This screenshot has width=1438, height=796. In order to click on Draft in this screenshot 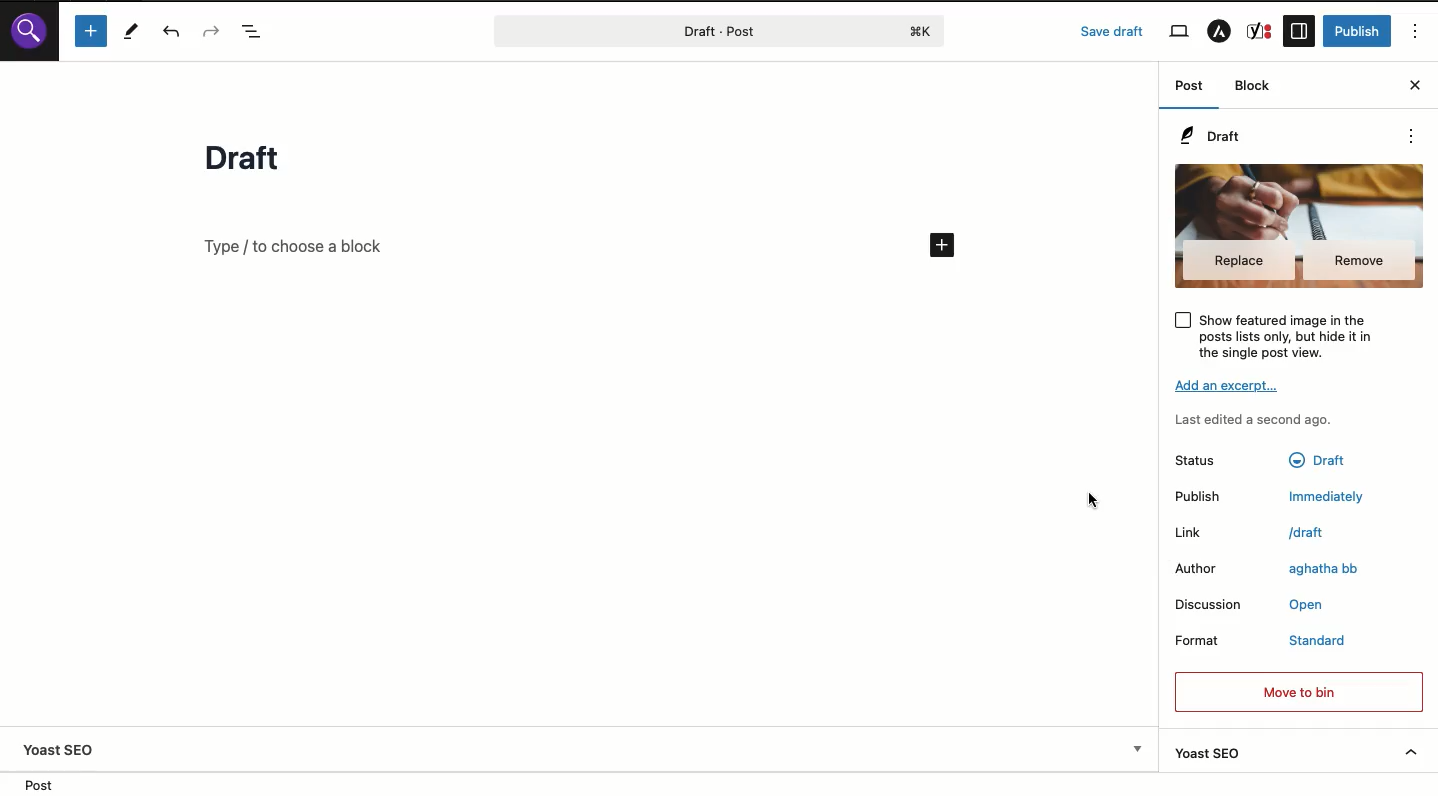, I will do `click(1214, 138)`.